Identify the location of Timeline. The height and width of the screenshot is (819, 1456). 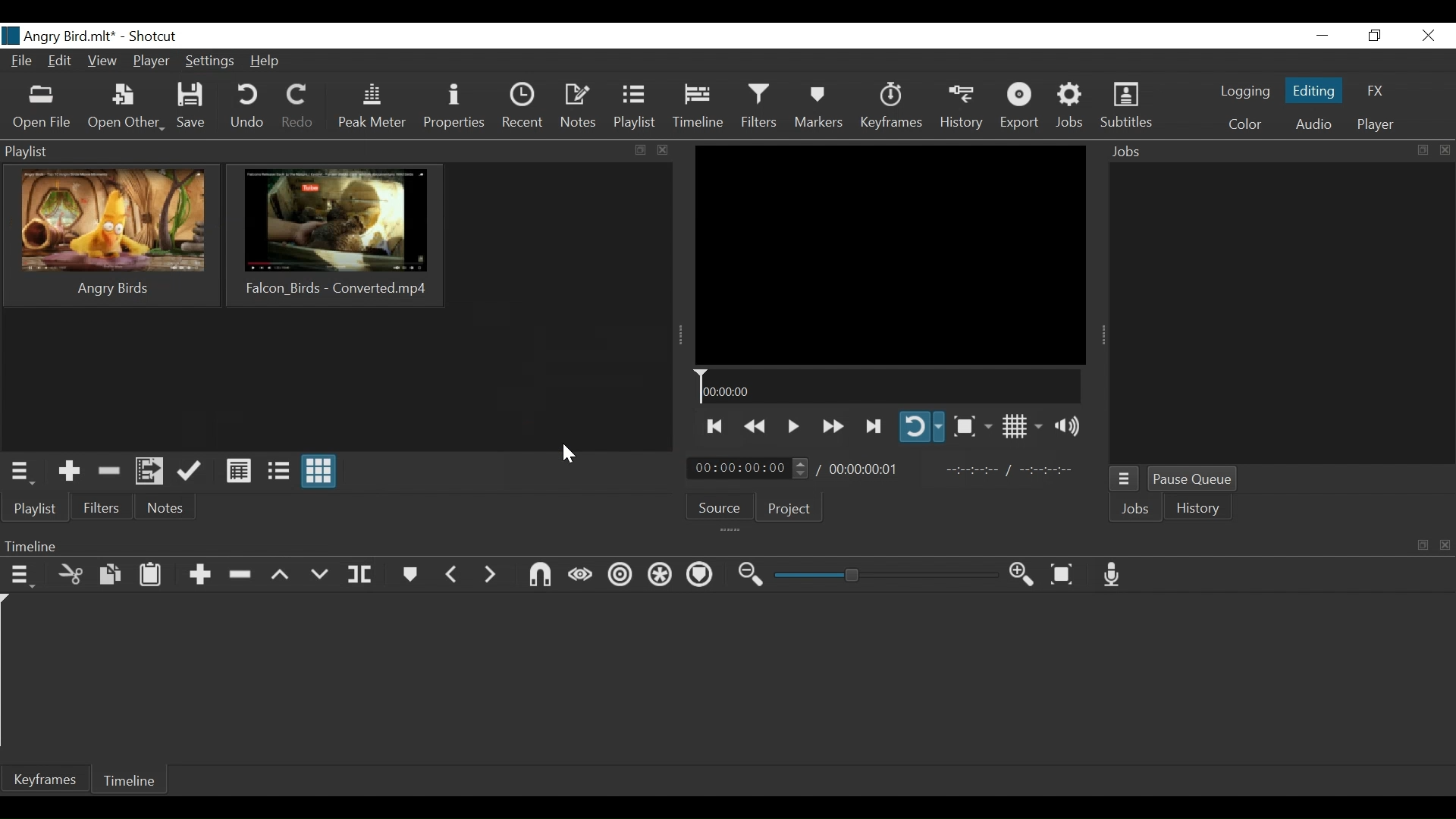
(129, 778).